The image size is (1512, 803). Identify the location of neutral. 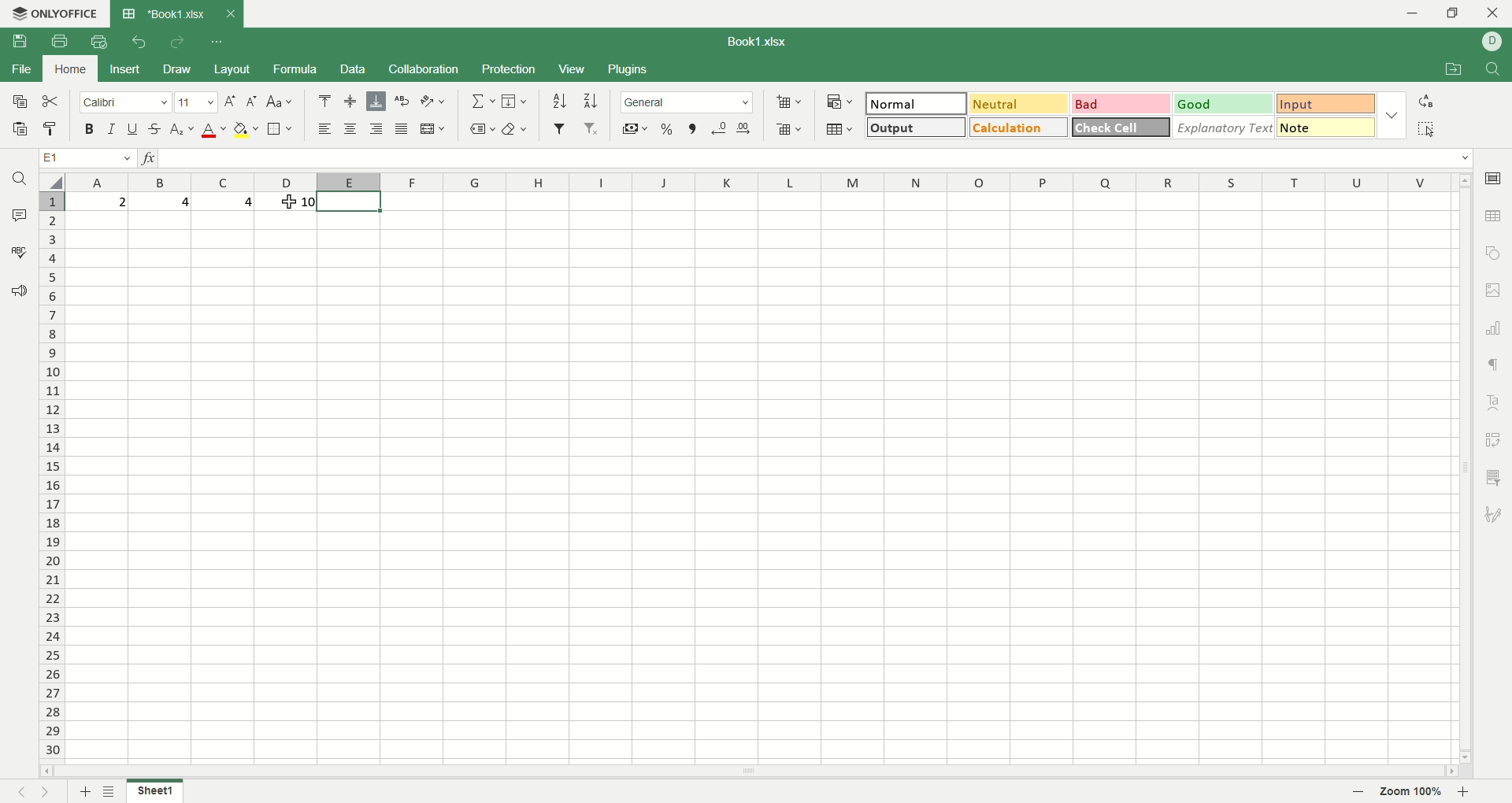
(1021, 103).